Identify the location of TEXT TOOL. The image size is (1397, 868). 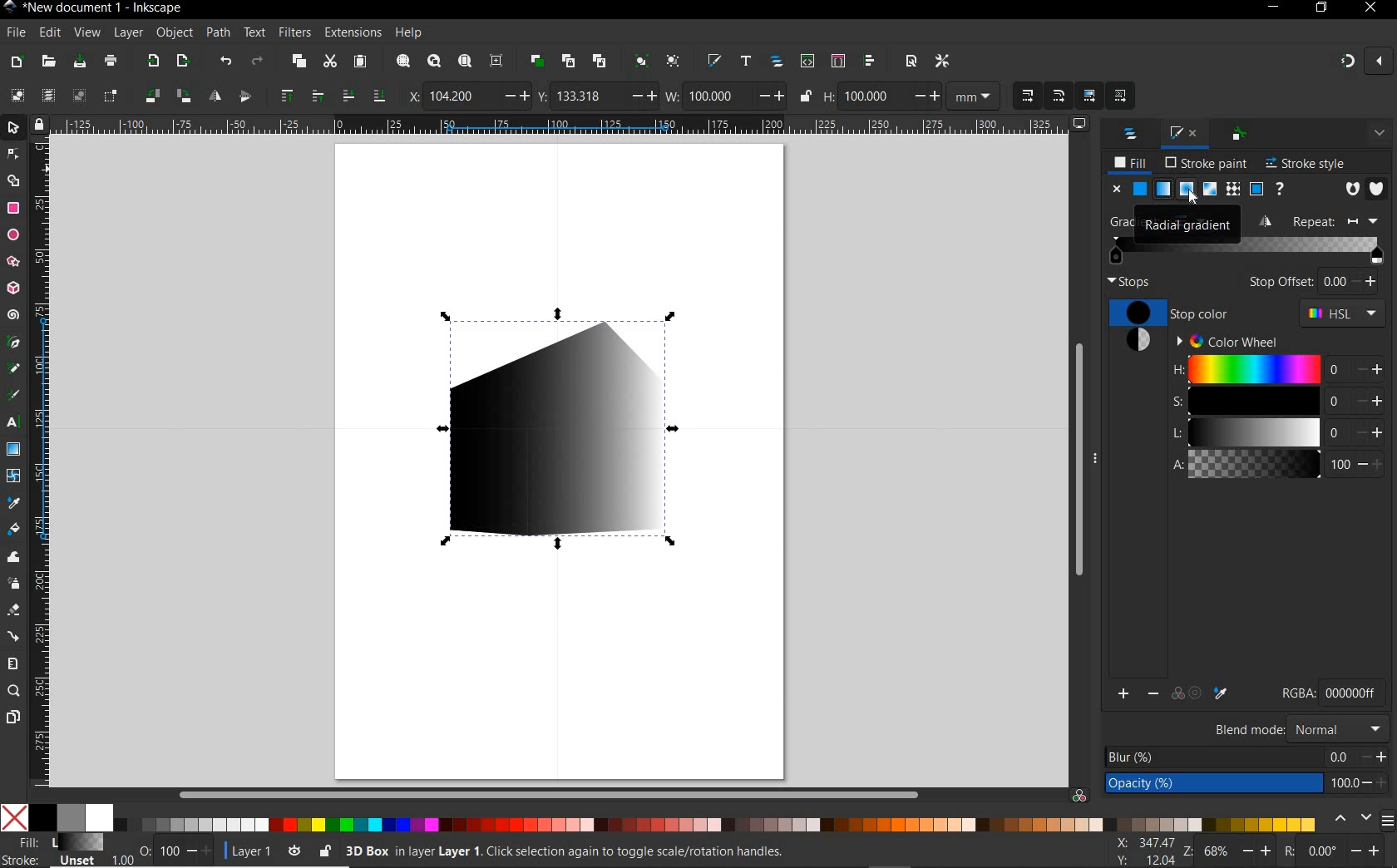
(12, 425).